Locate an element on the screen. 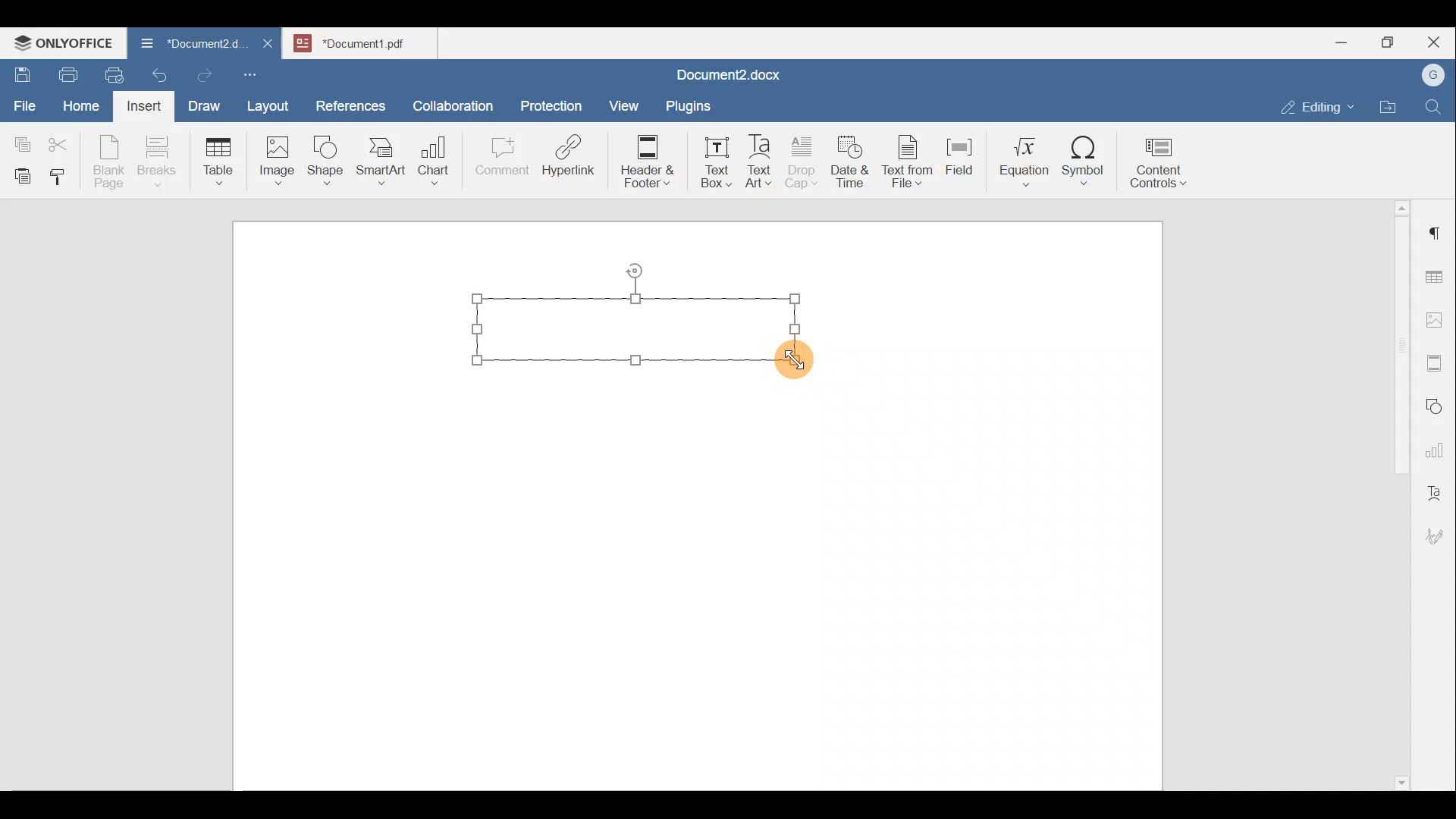 The image size is (1456, 819). Blank page is located at coordinates (111, 162).